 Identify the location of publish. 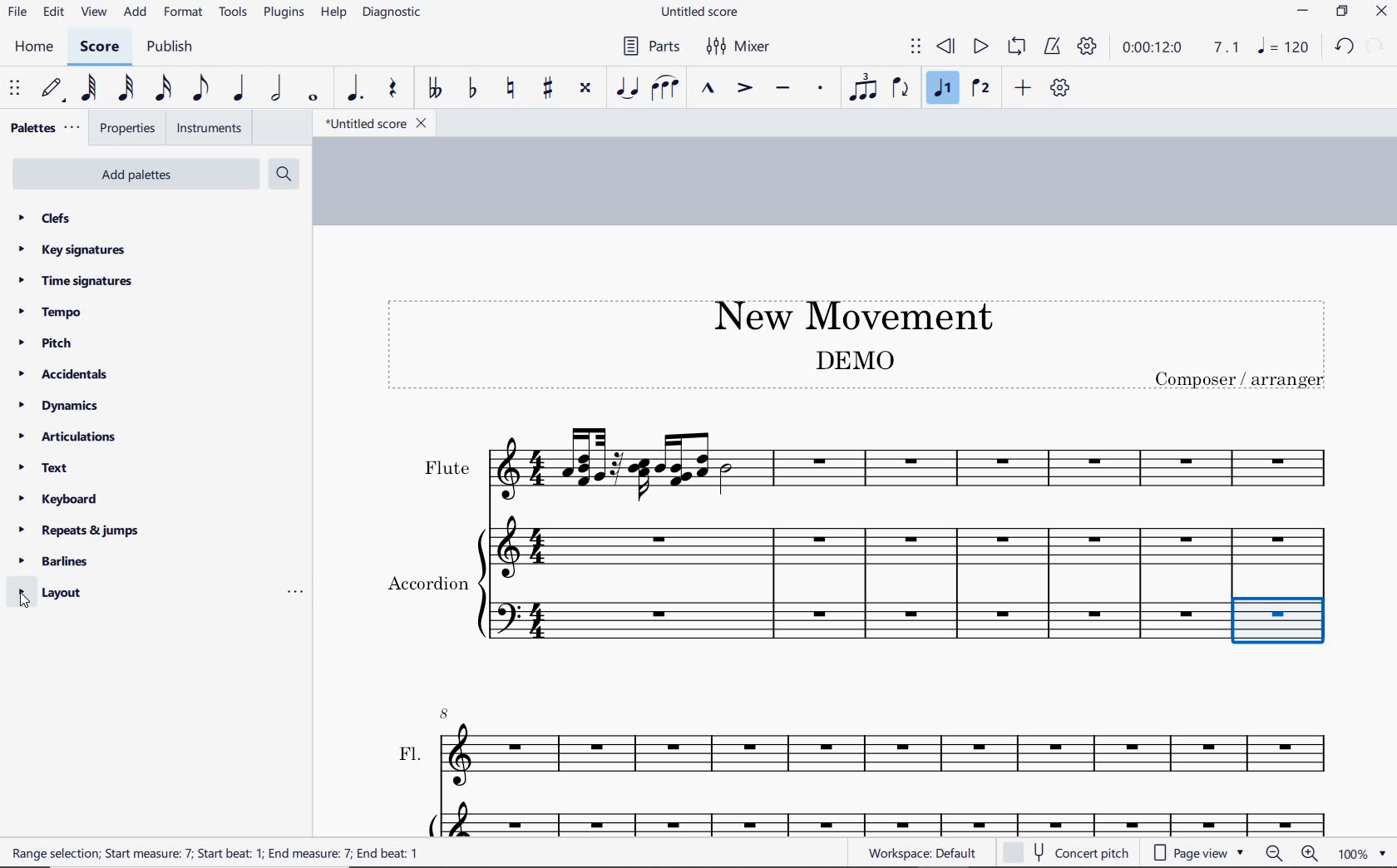
(168, 48).